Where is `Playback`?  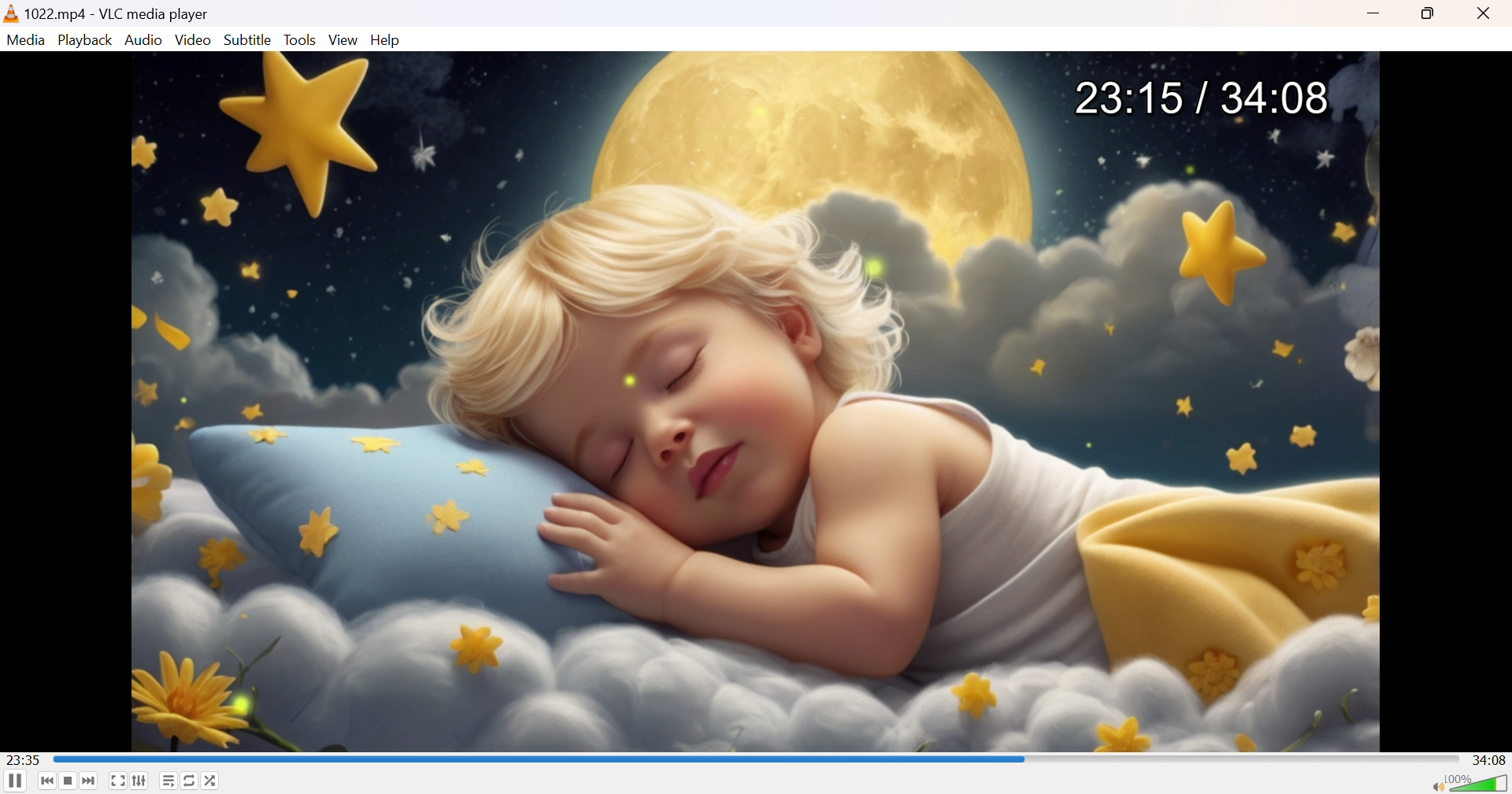
Playback is located at coordinates (85, 39).